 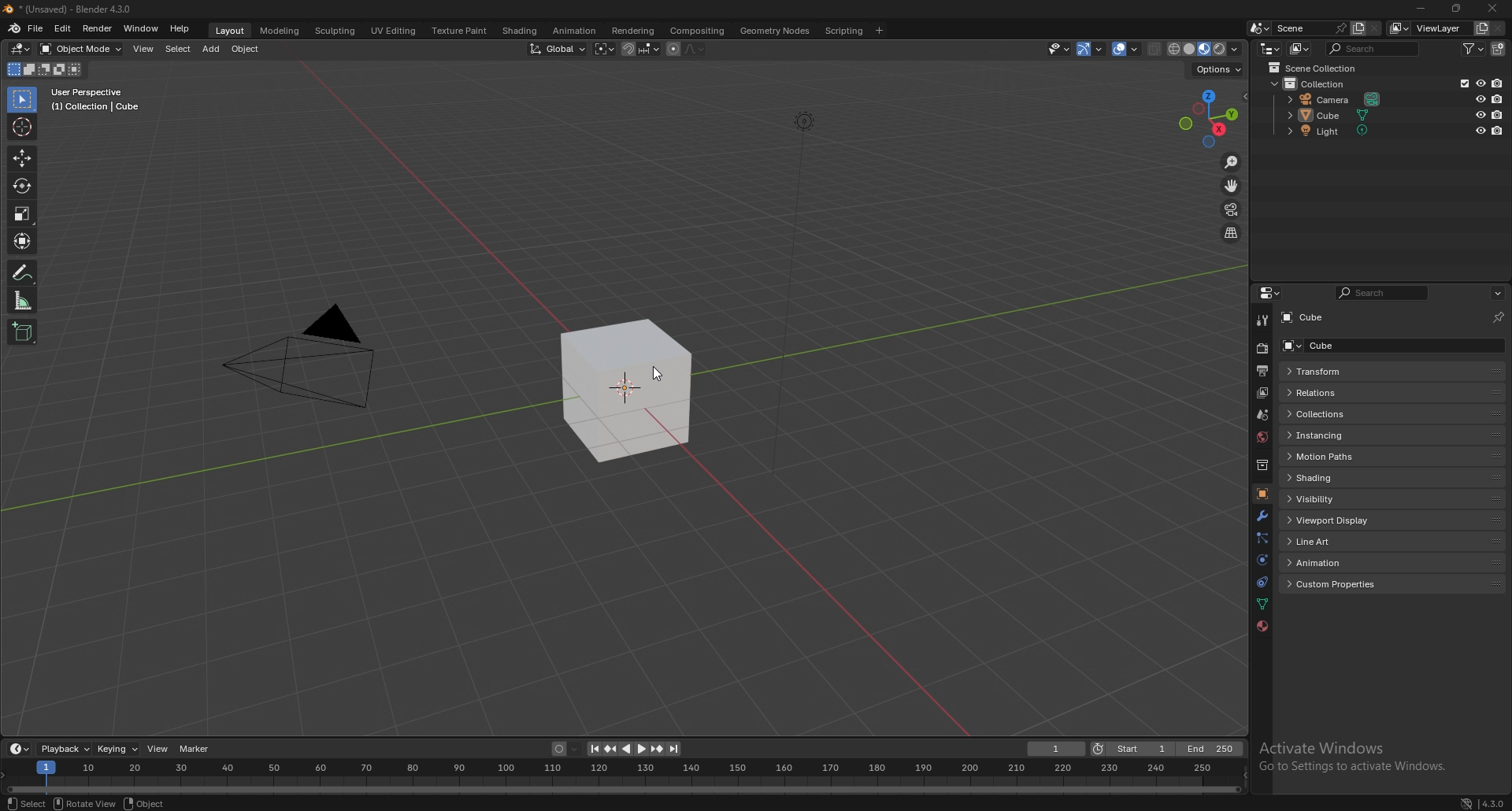 I want to click on view, so click(x=145, y=49).